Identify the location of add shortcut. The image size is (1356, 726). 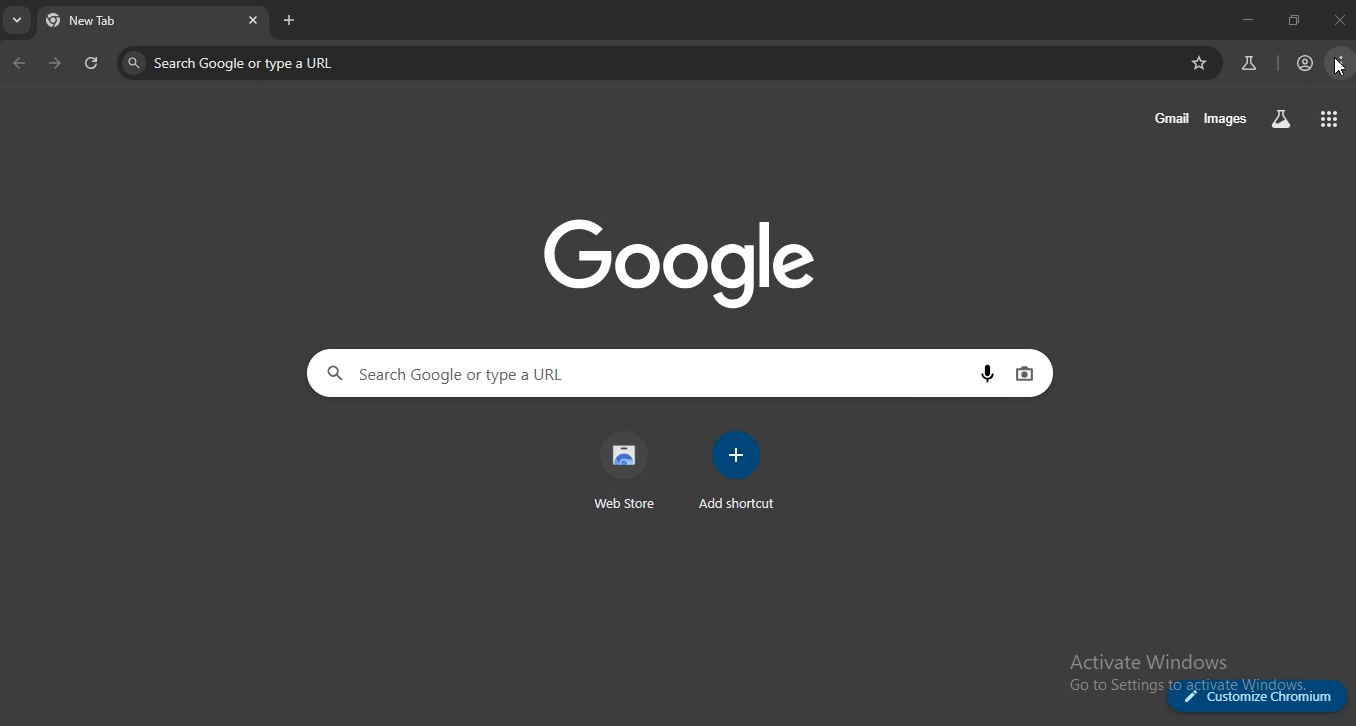
(740, 471).